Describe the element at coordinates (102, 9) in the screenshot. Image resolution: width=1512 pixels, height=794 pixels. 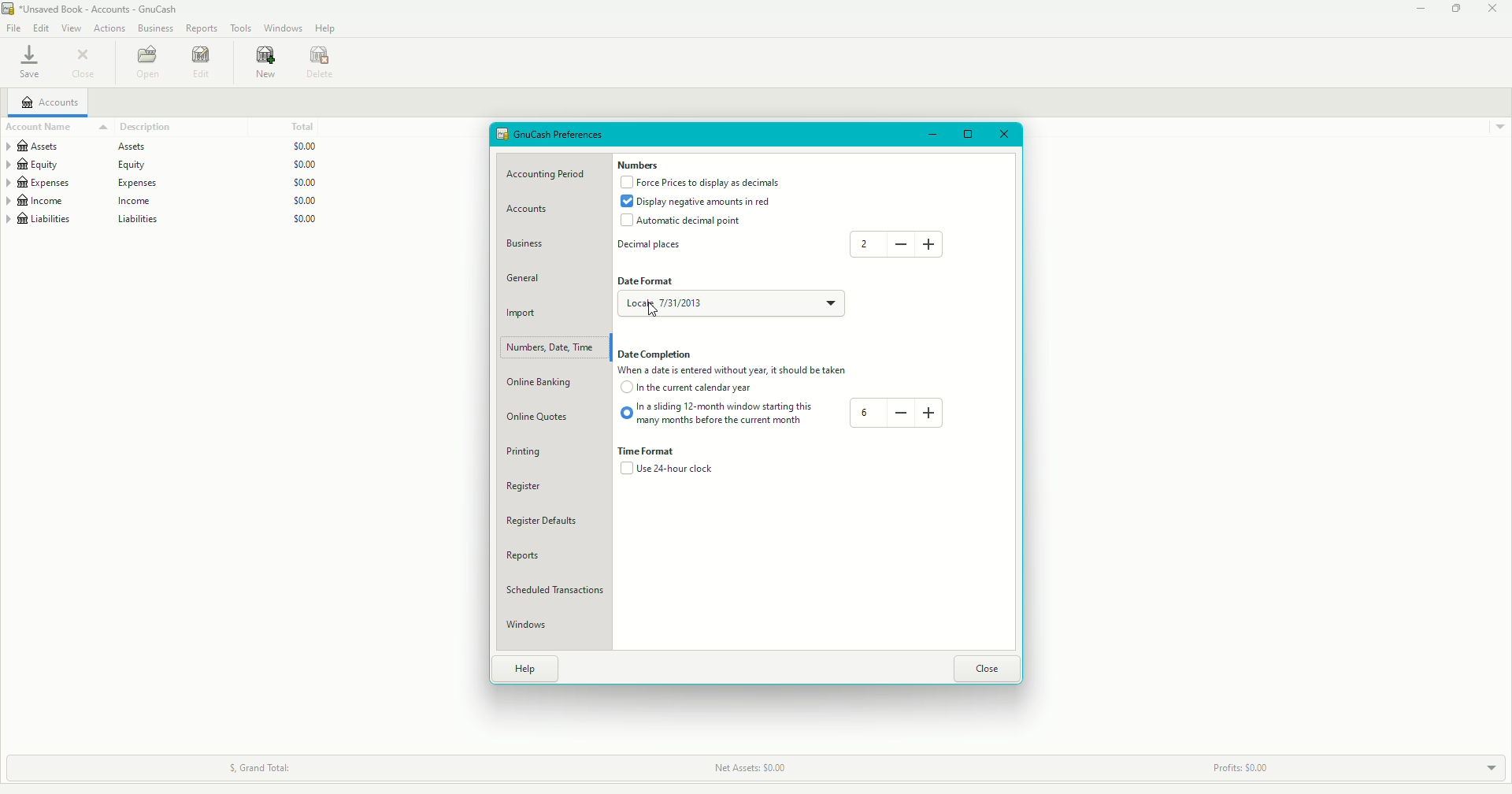
I see `file name` at that location.